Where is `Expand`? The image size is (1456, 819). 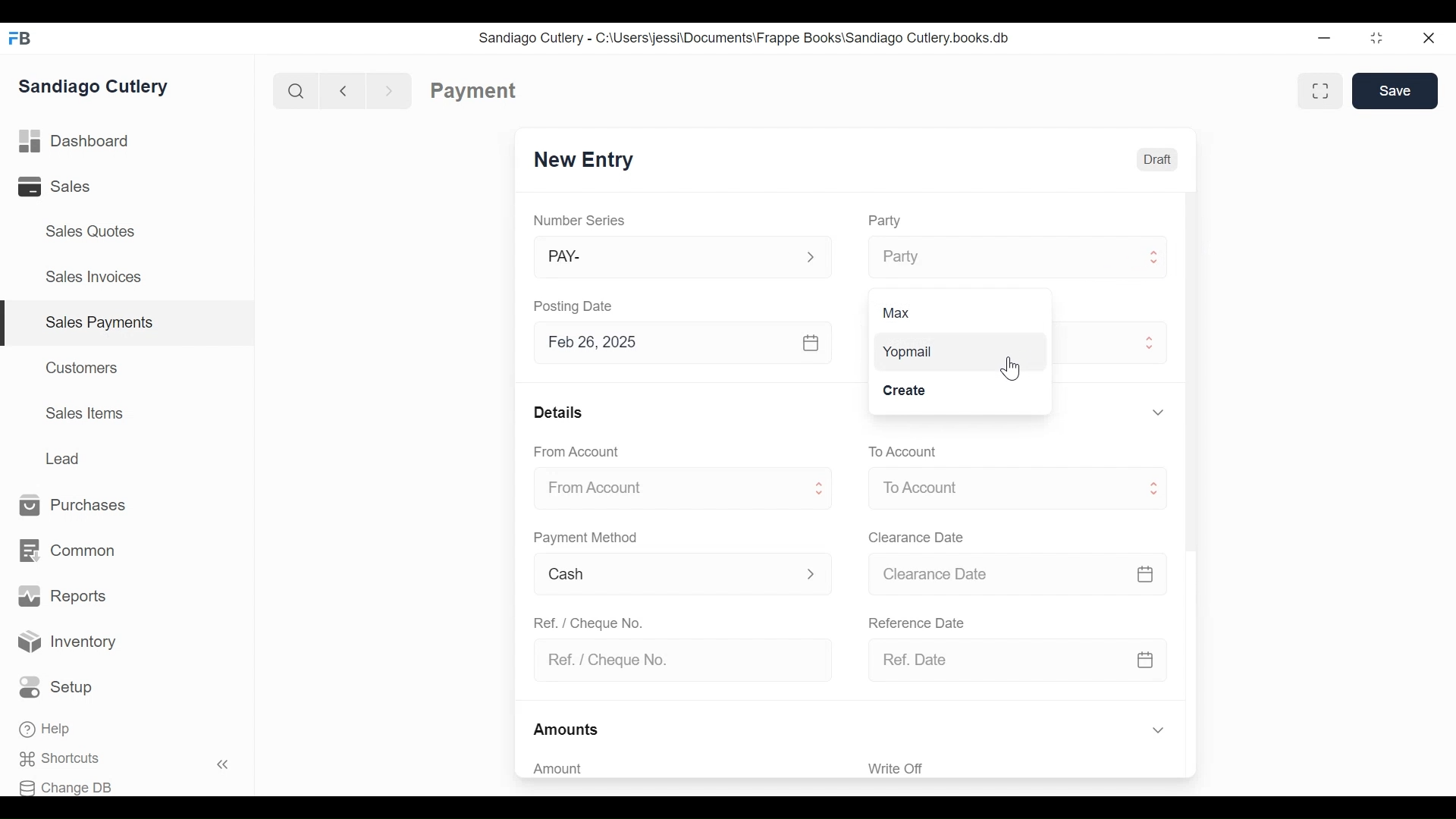
Expand is located at coordinates (811, 258).